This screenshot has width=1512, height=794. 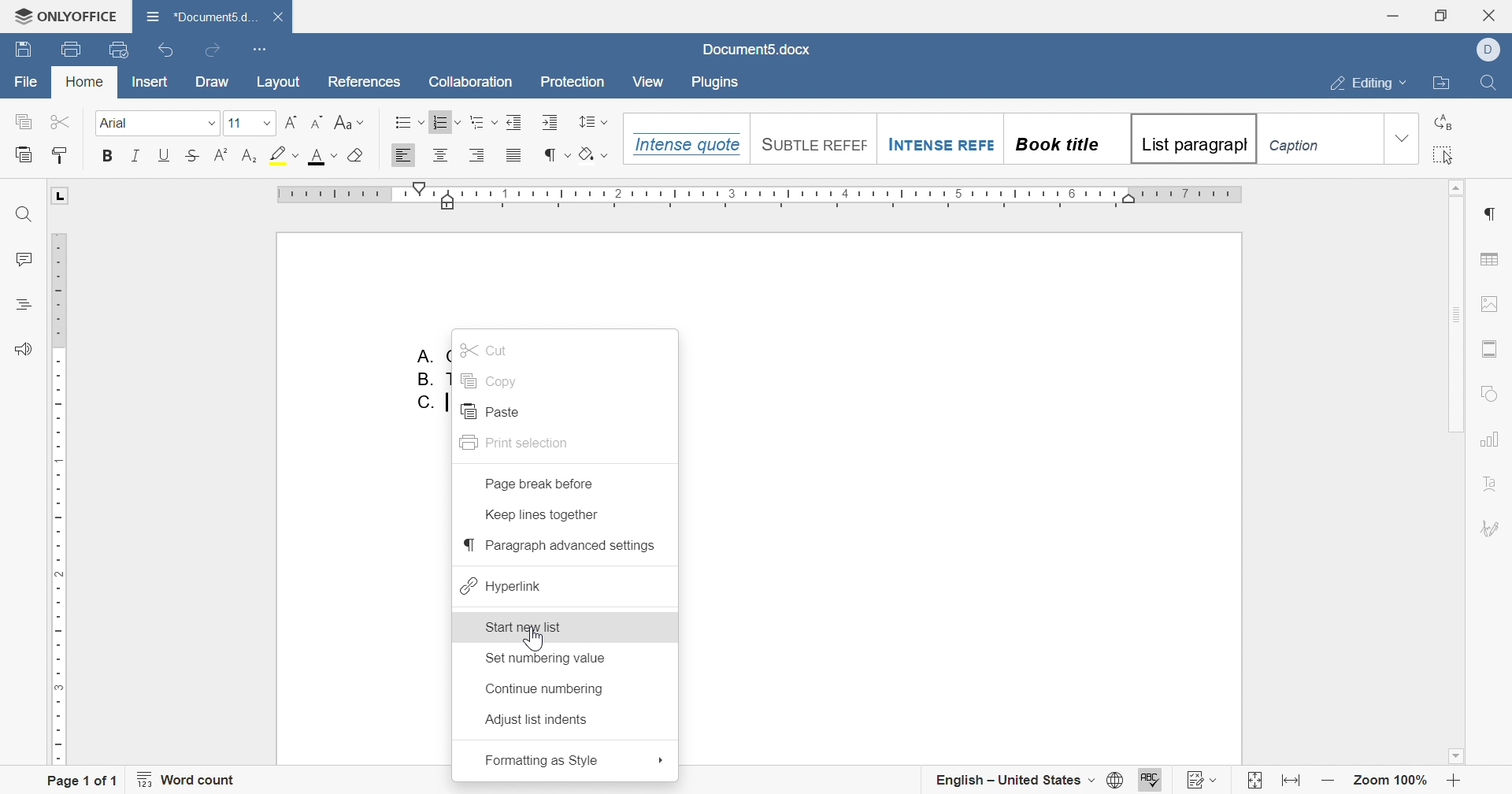 What do you see at coordinates (1445, 84) in the screenshot?
I see `open file location` at bounding box center [1445, 84].